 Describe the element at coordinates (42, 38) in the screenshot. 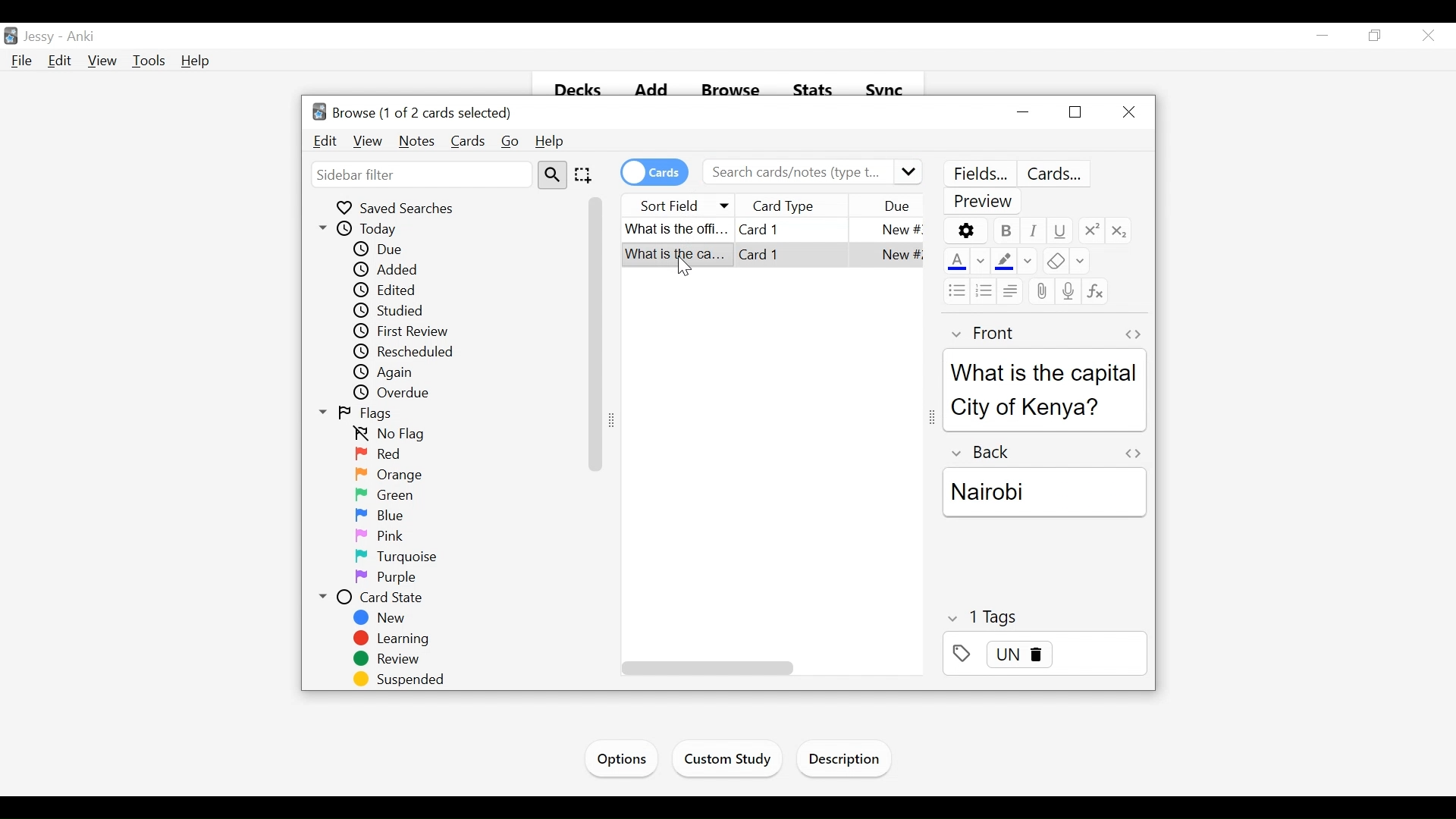

I see `User Nmae` at that location.